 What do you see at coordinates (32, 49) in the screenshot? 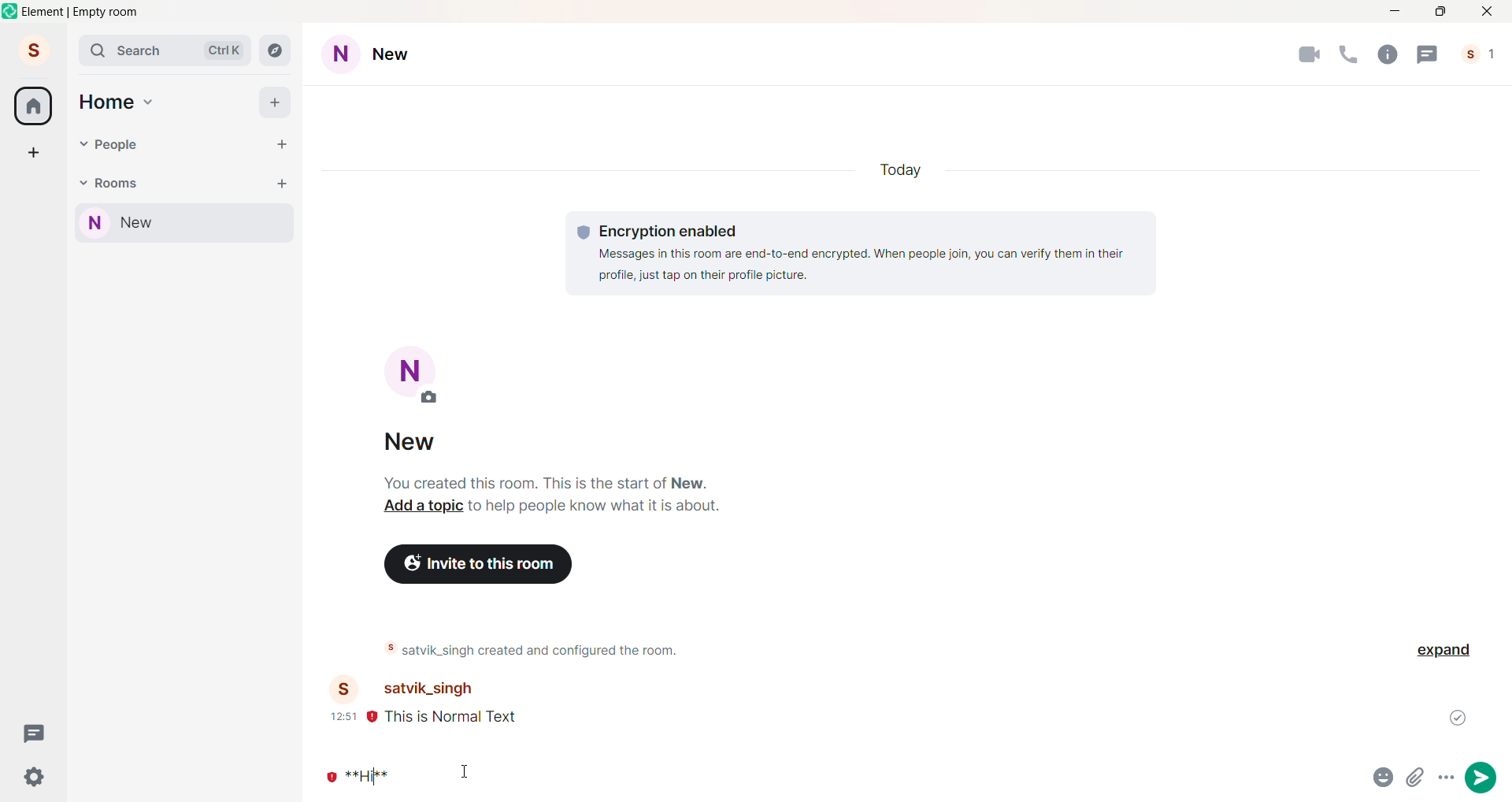
I see `Account` at bounding box center [32, 49].